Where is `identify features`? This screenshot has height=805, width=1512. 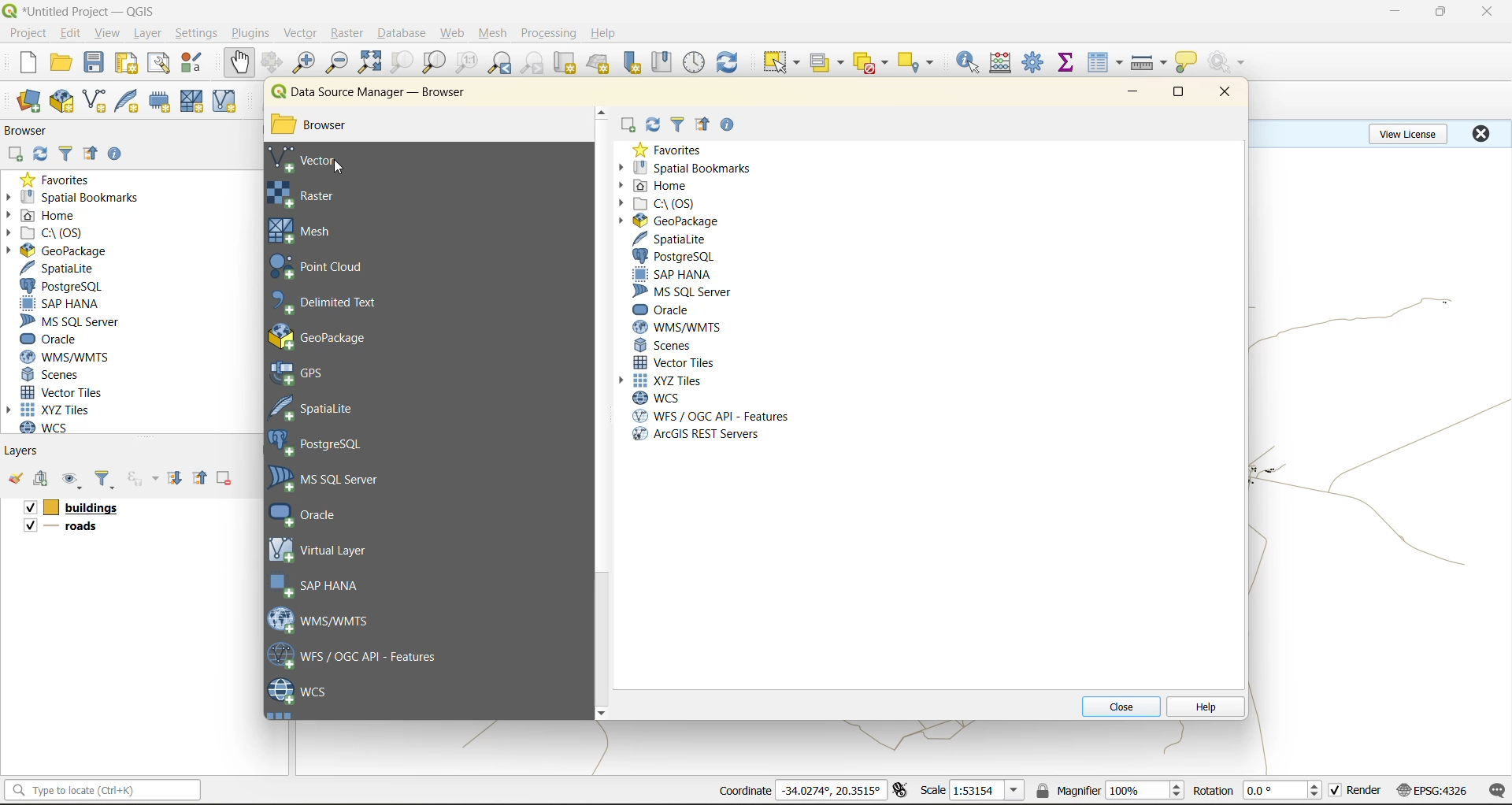
identify features is located at coordinates (973, 62).